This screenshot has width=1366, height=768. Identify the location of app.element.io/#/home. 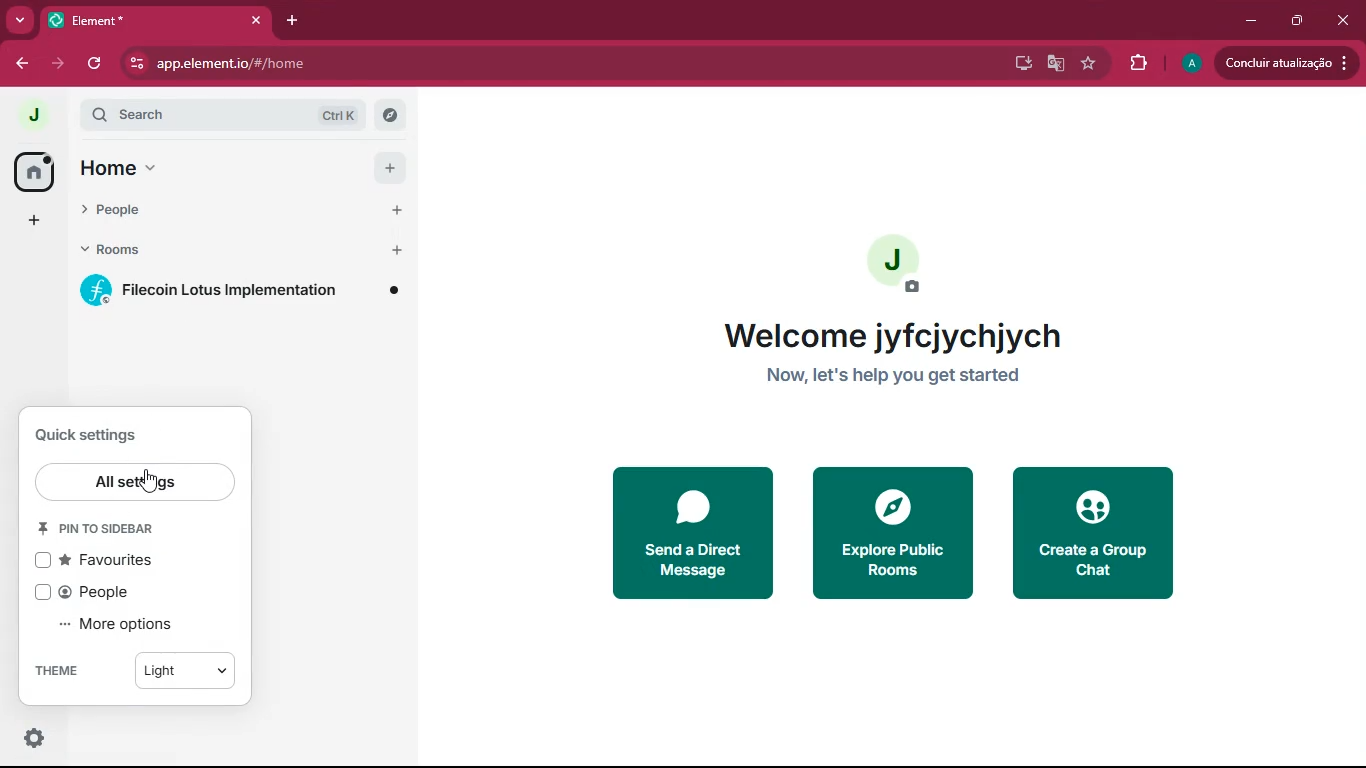
(289, 63).